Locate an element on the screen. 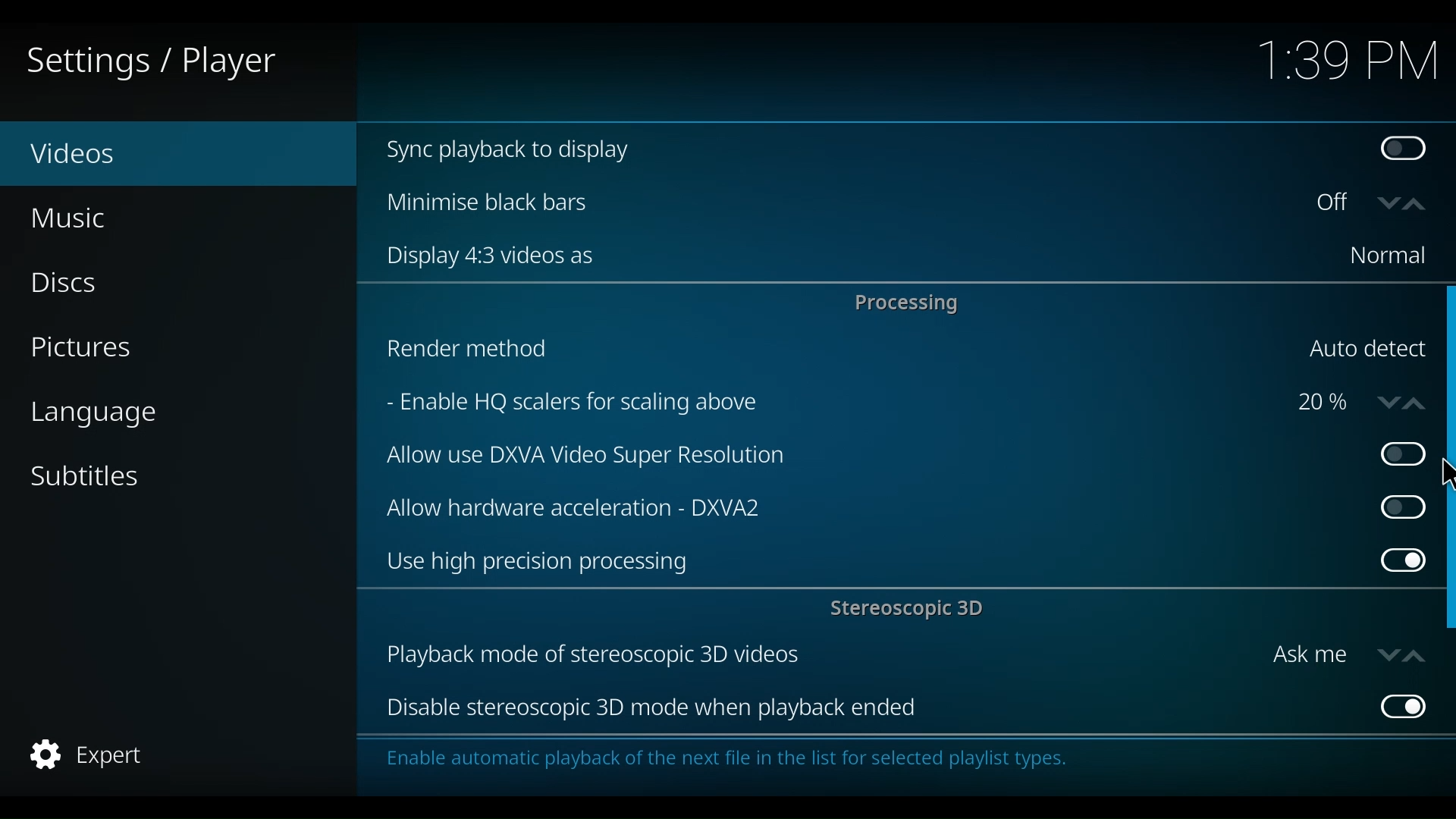 This screenshot has height=819, width=1456. 20% is located at coordinates (1323, 403).